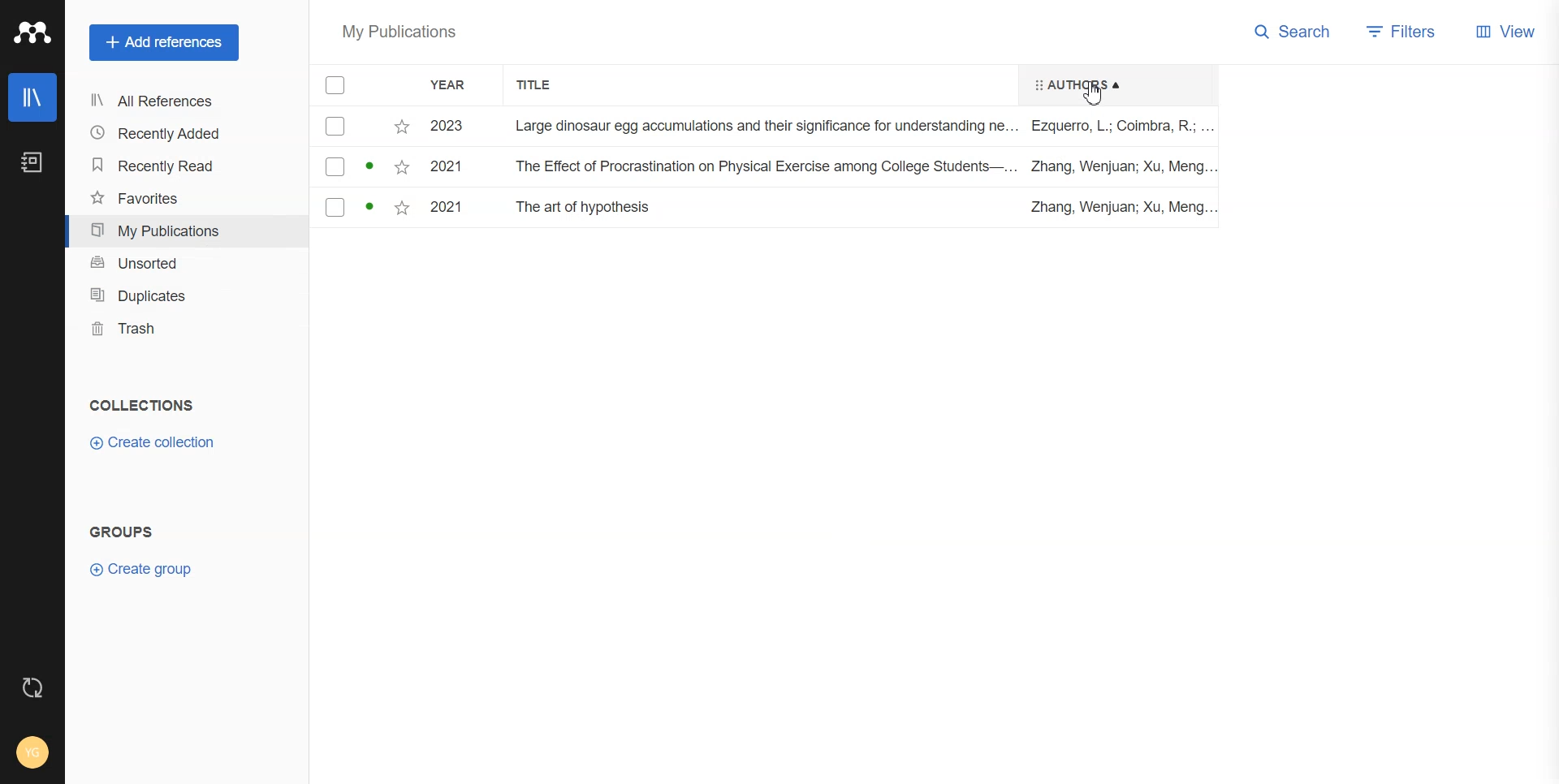 The image size is (1559, 784). I want to click on My Publication, so click(180, 230).